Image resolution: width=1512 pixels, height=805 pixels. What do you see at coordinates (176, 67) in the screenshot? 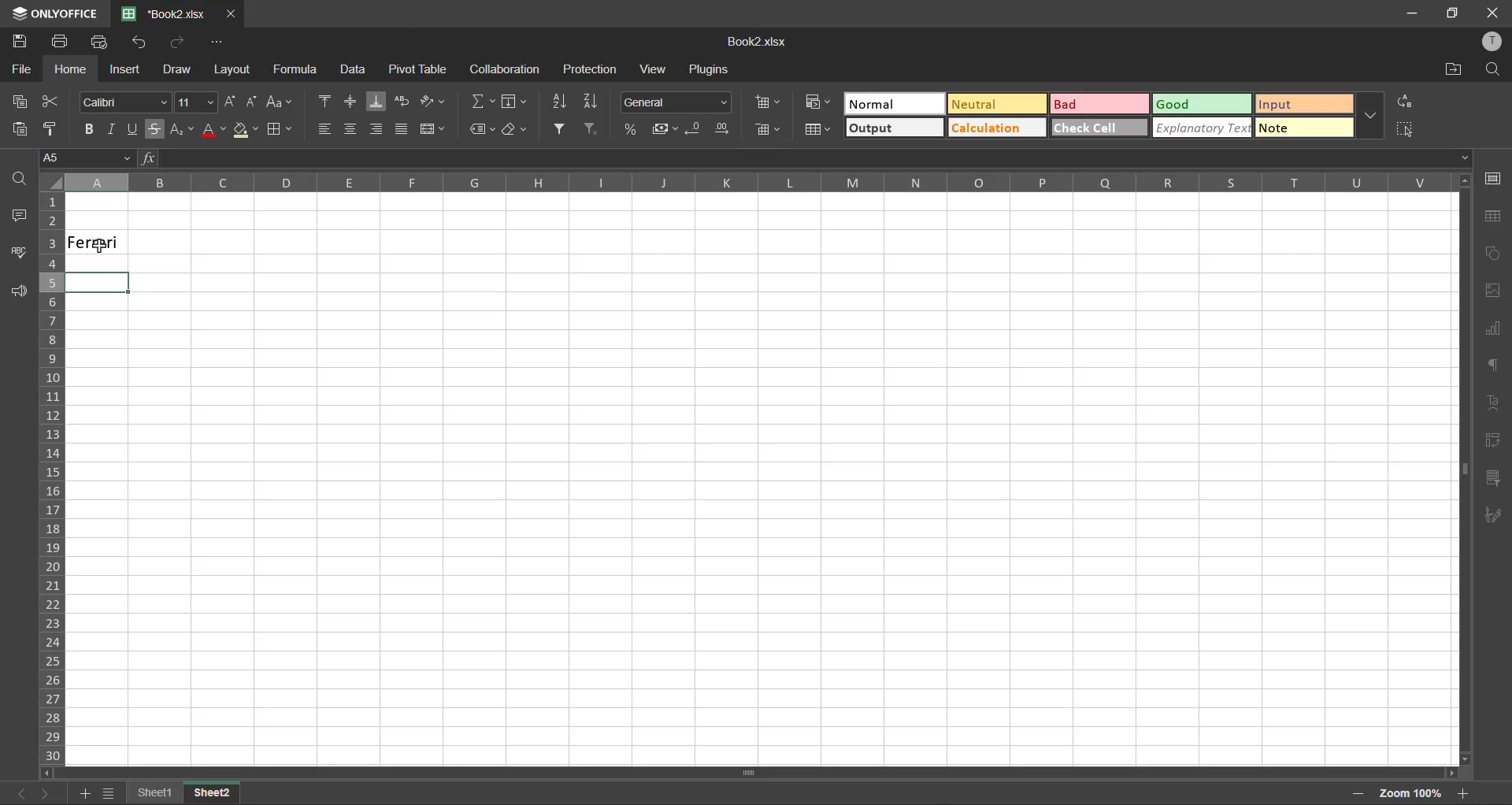
I see `draw` at bounding box center [176, 67].